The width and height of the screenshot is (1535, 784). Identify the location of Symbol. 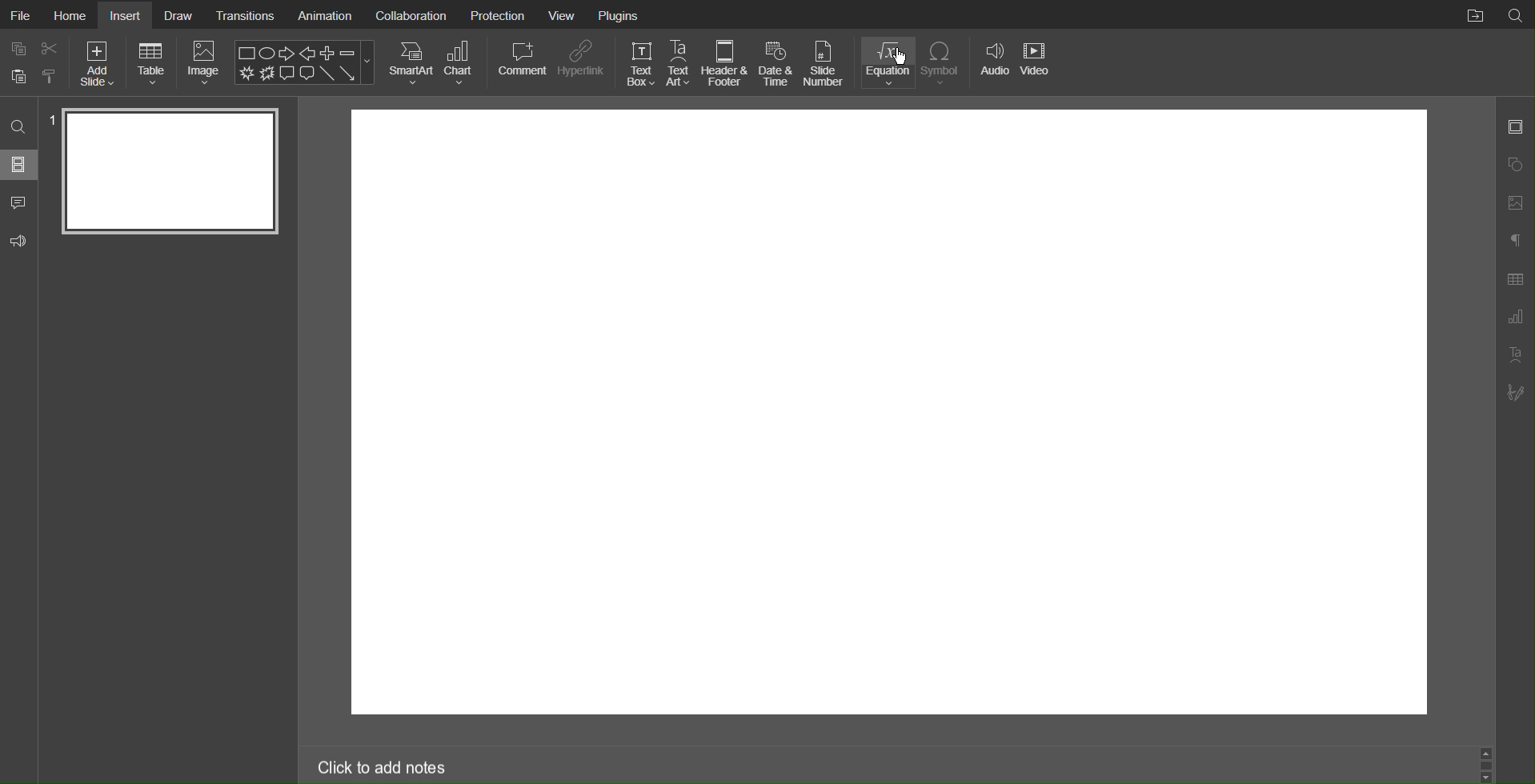
(945, 63).